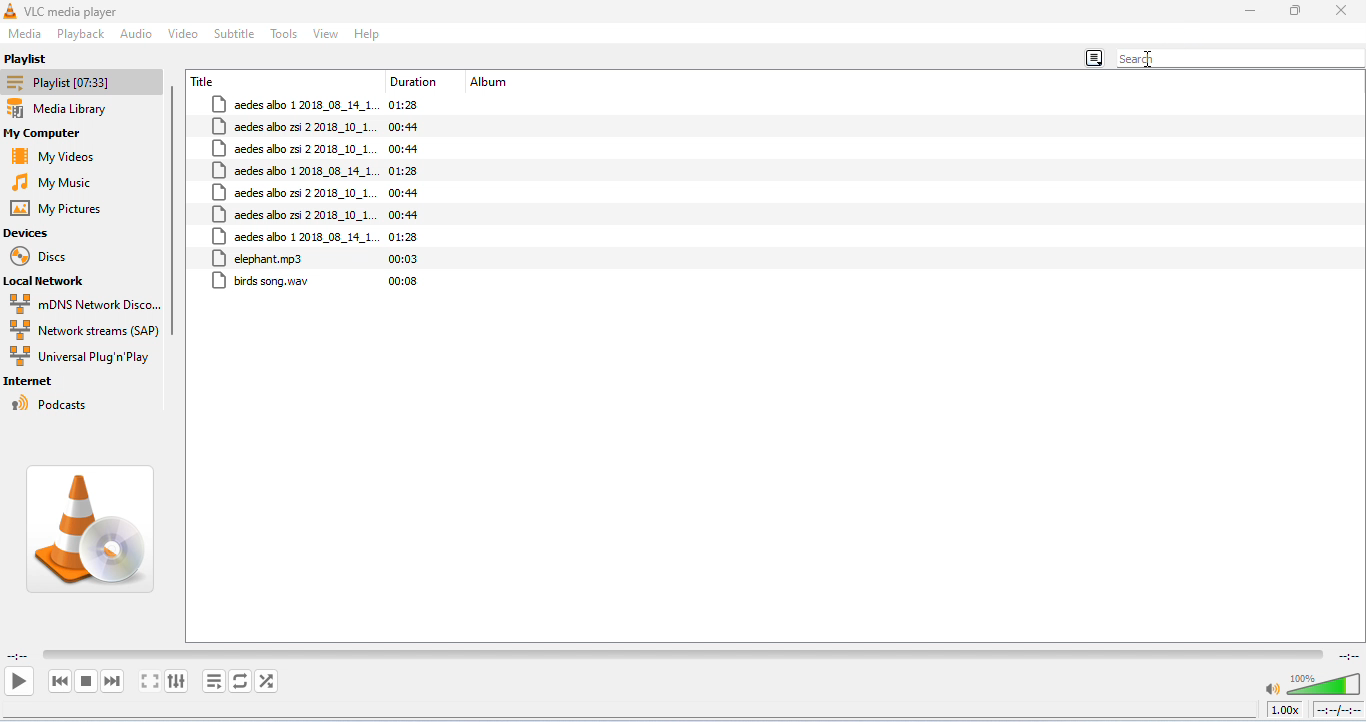 The width and height of the screenshot is (1366, 722). I want to click on vertical scroll bar, so click(176, 216).